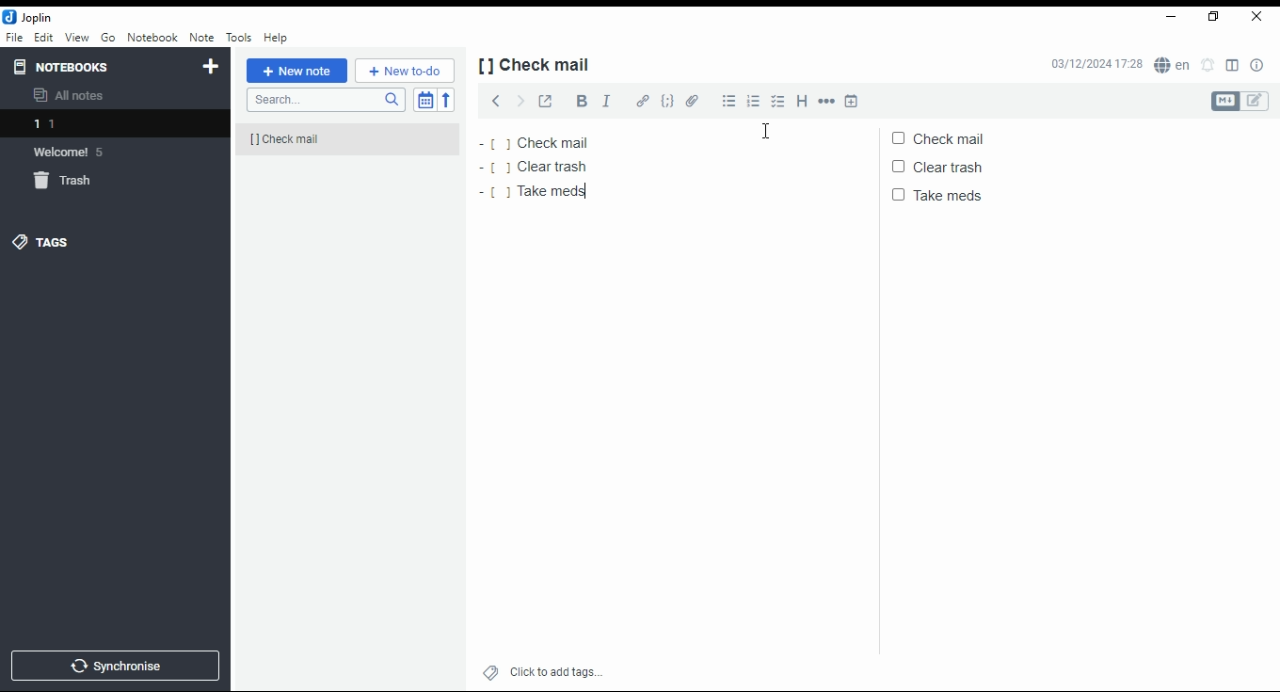 The height and width of the screenshot is (692, 1280). Describe the element at coordinates (606, 101) in the screenshot. I see `italics` at that location.